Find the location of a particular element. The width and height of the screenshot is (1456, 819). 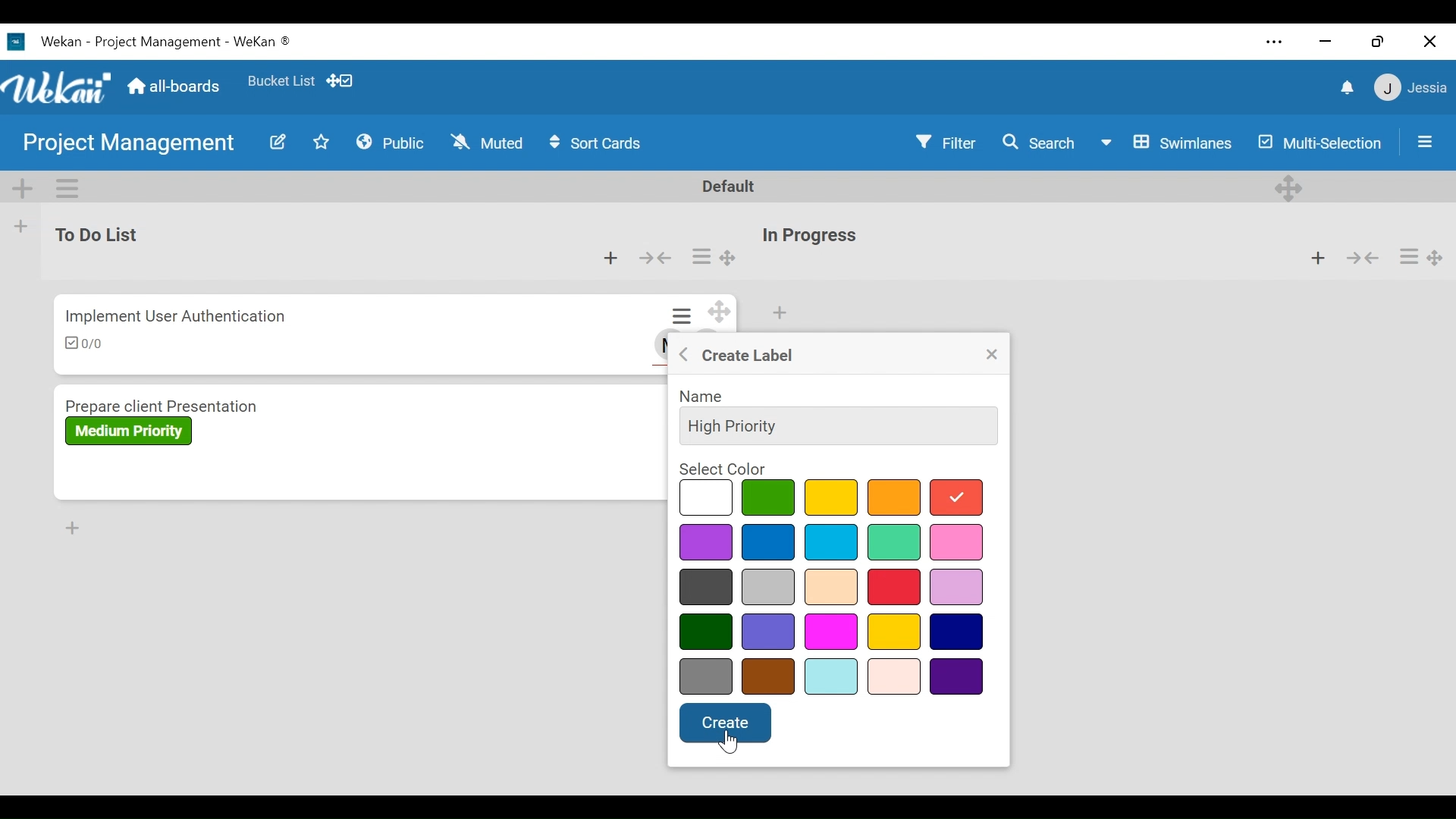

Edit is located at coordinates (277, 142).